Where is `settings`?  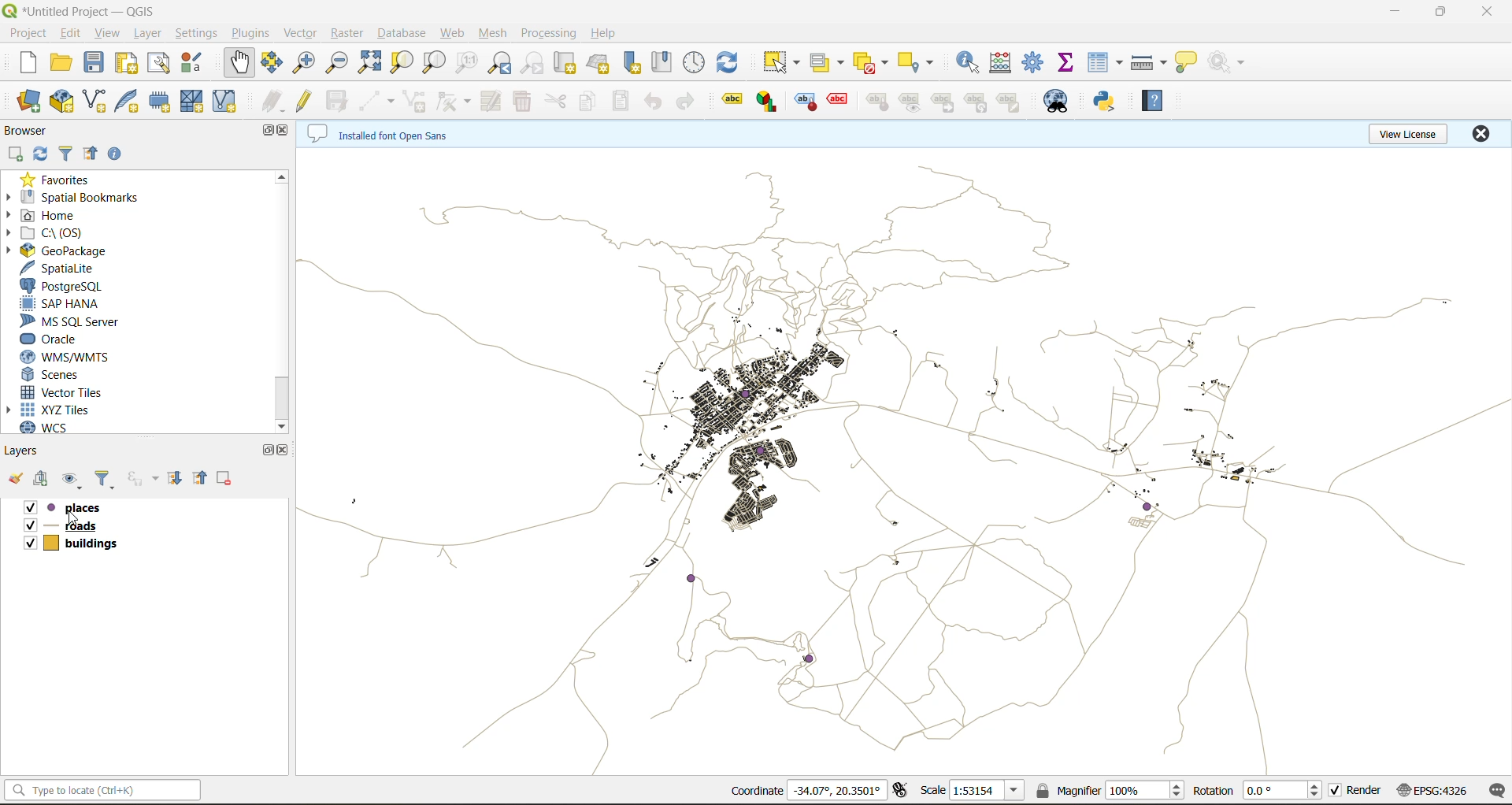
settings is located at coordinates (201, 35).